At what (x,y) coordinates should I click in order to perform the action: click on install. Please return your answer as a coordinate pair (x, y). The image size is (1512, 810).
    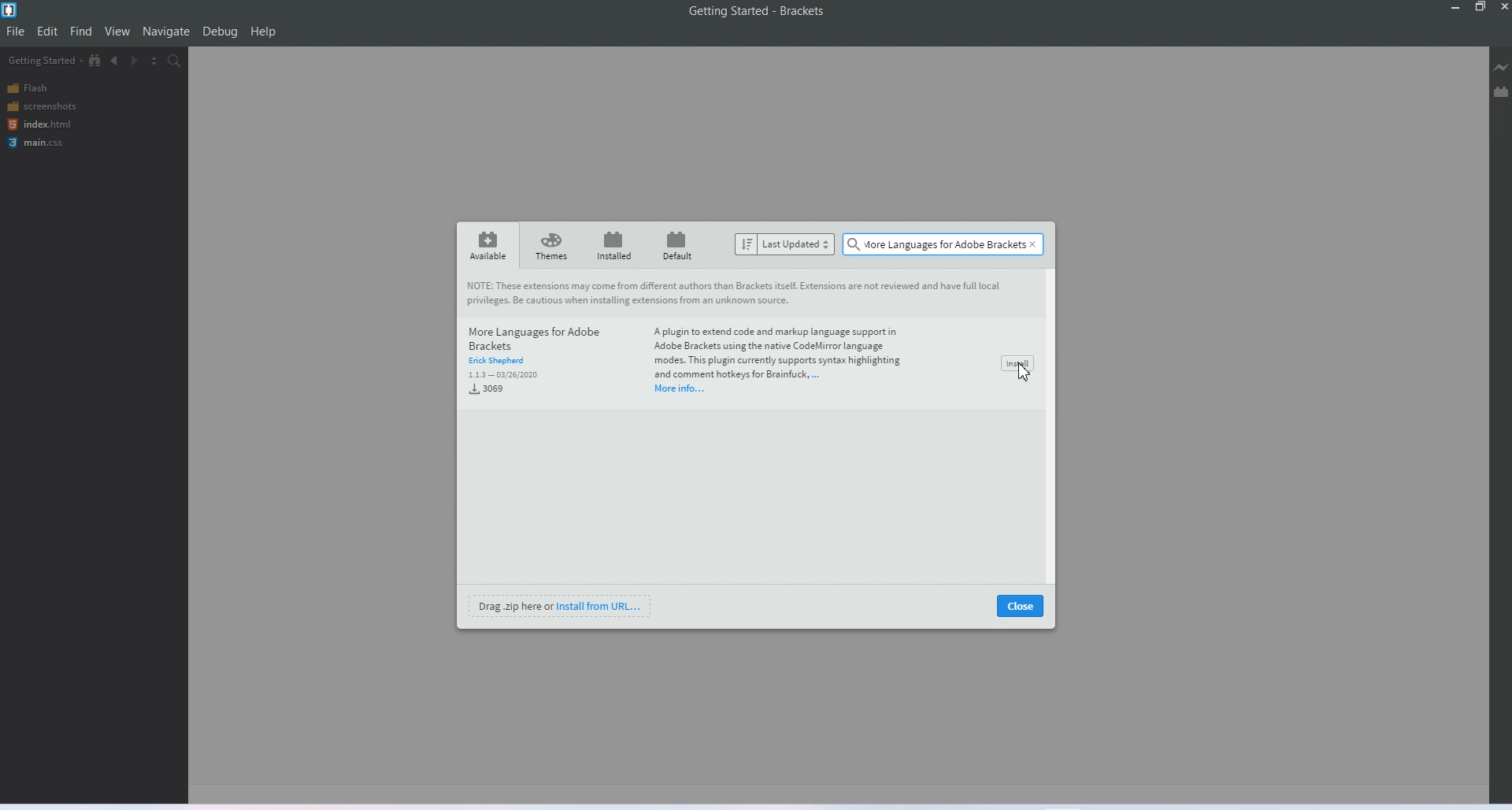
    Looking at the image, I should click on (1018, 363).